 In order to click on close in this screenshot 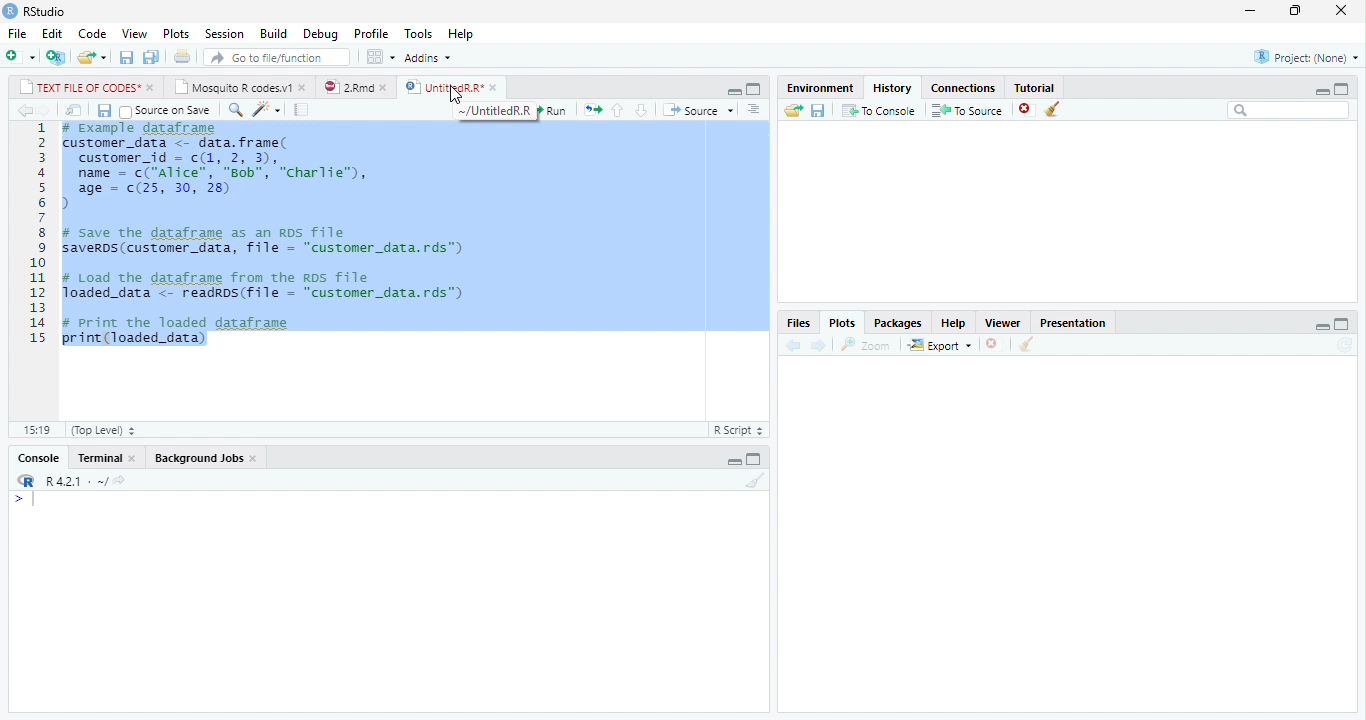, I will do `click(1341, 9)`.